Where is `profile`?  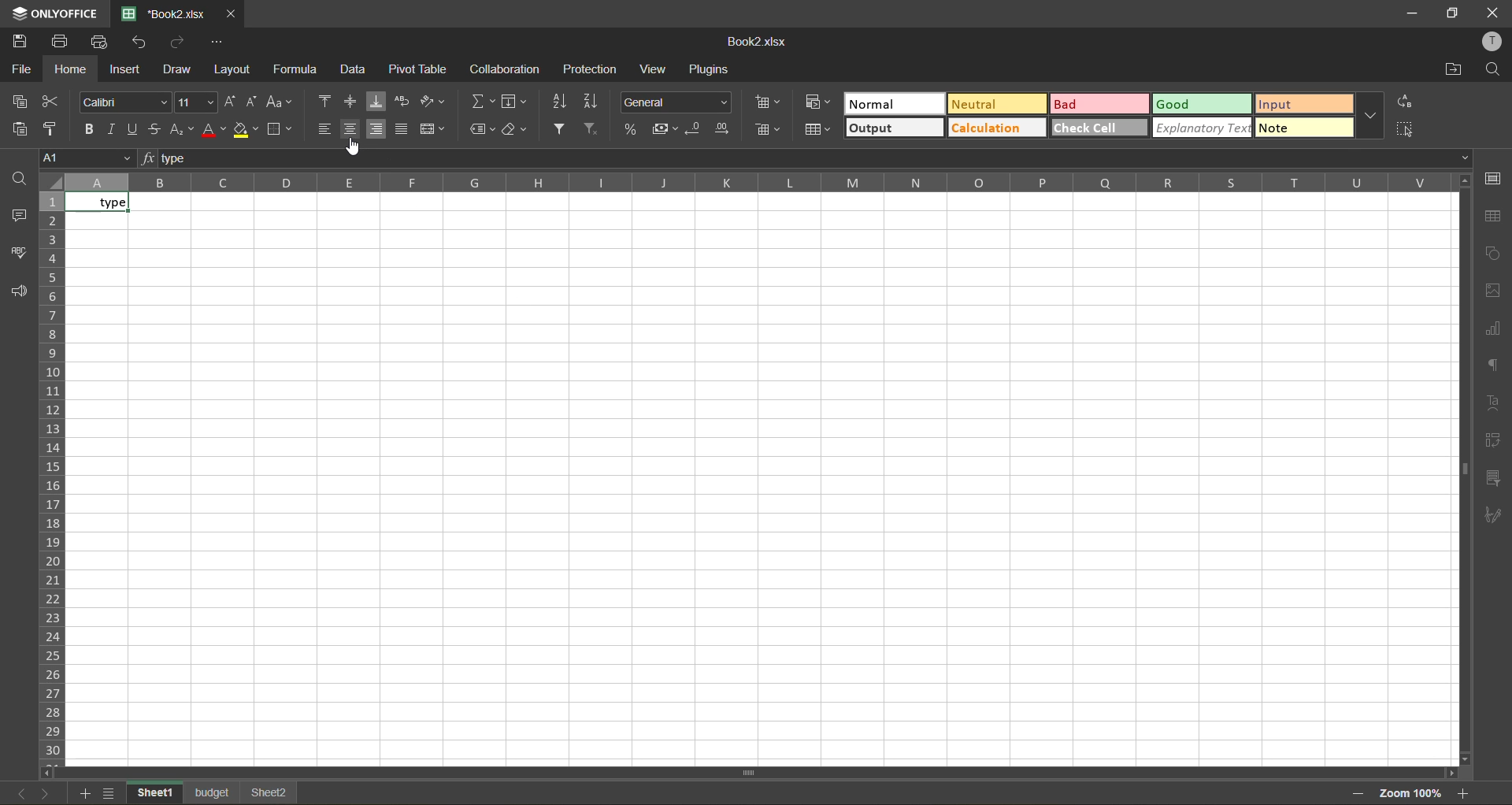 profile is located at coordinates (1488, 43).